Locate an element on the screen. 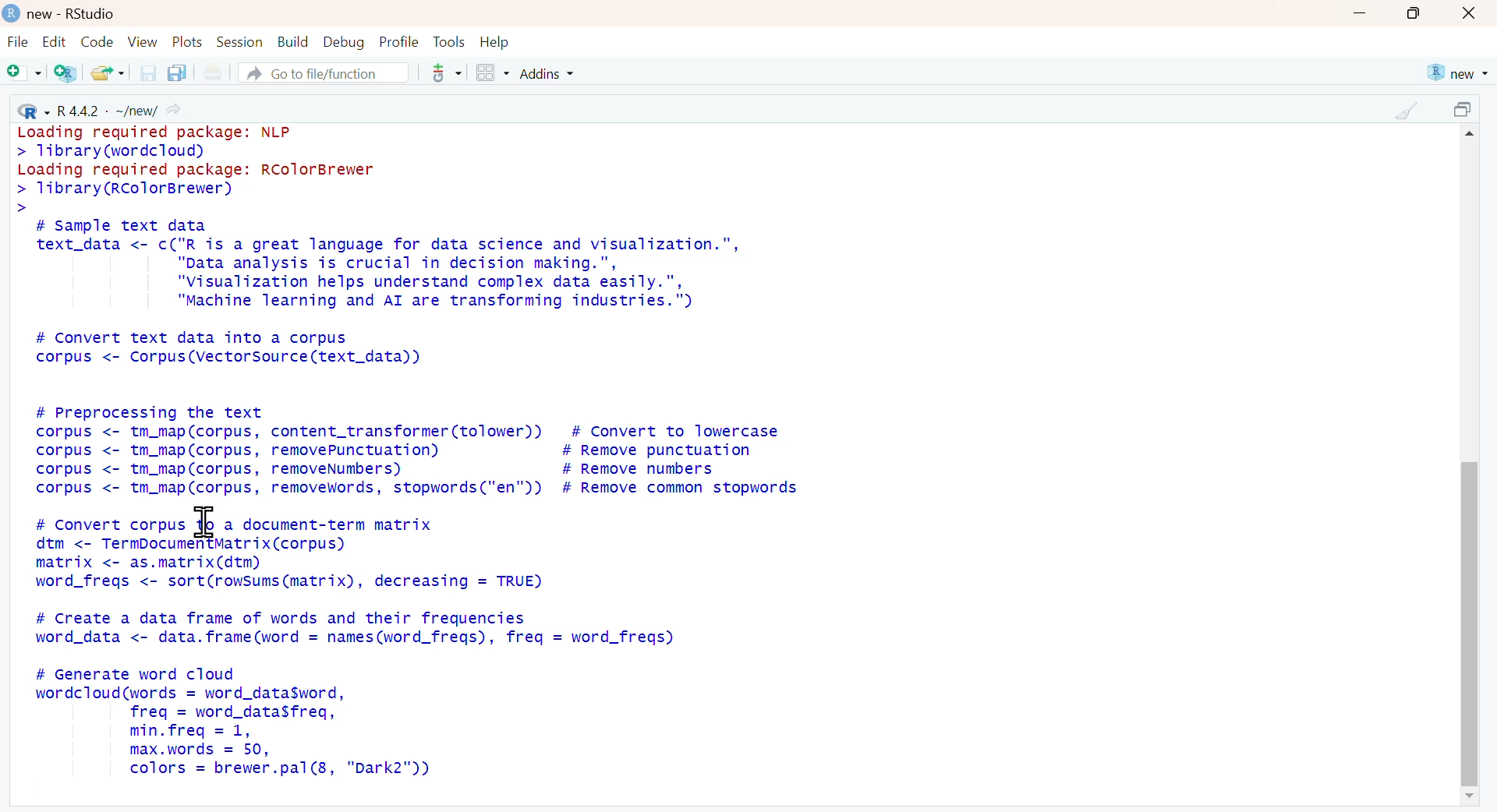  # Convert corpus to a document-term matrixdtm <- TermDocumentMatrix(corpus)matrix <- as.matrix(dtm)word_freqs <- sort(rowsSums(matrix), decreasing = TRUE) is located at coordinates (288, 553).